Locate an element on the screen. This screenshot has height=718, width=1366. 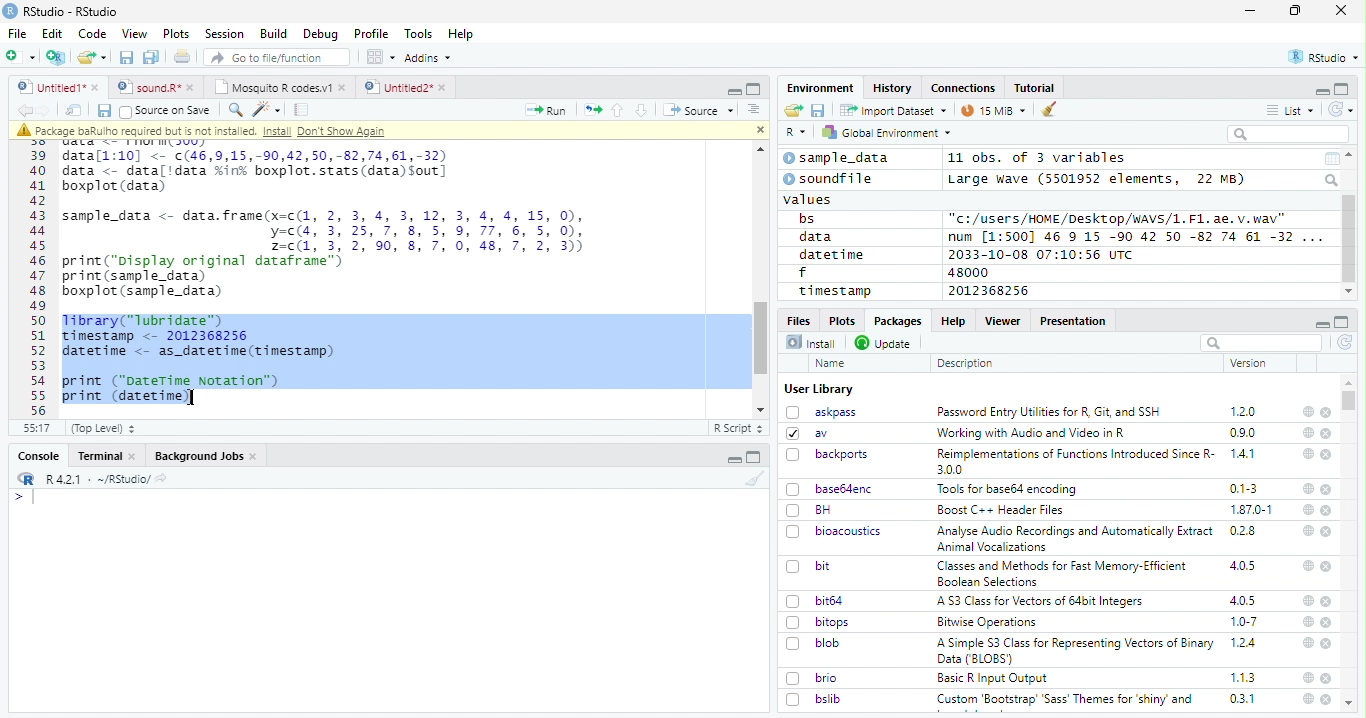
Code tools is located at coordinates (265, 109).